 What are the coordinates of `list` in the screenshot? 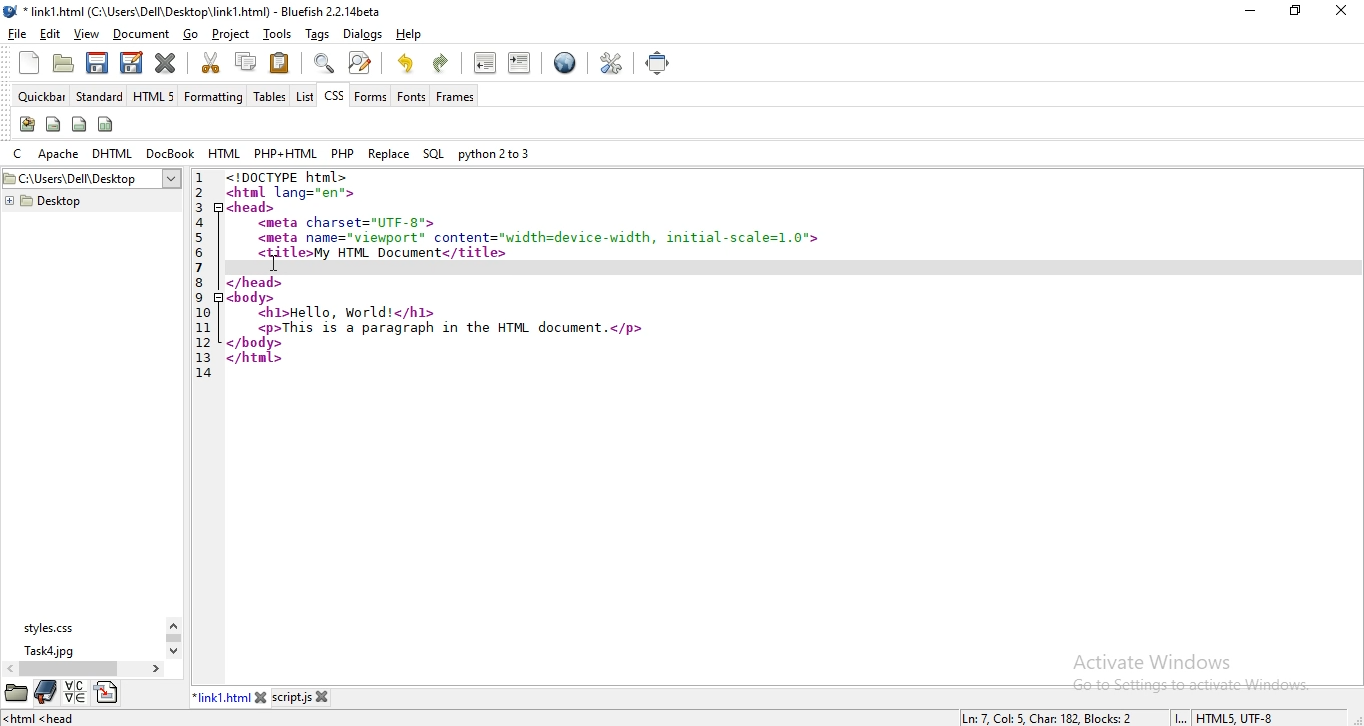 It's located at (303, 95).